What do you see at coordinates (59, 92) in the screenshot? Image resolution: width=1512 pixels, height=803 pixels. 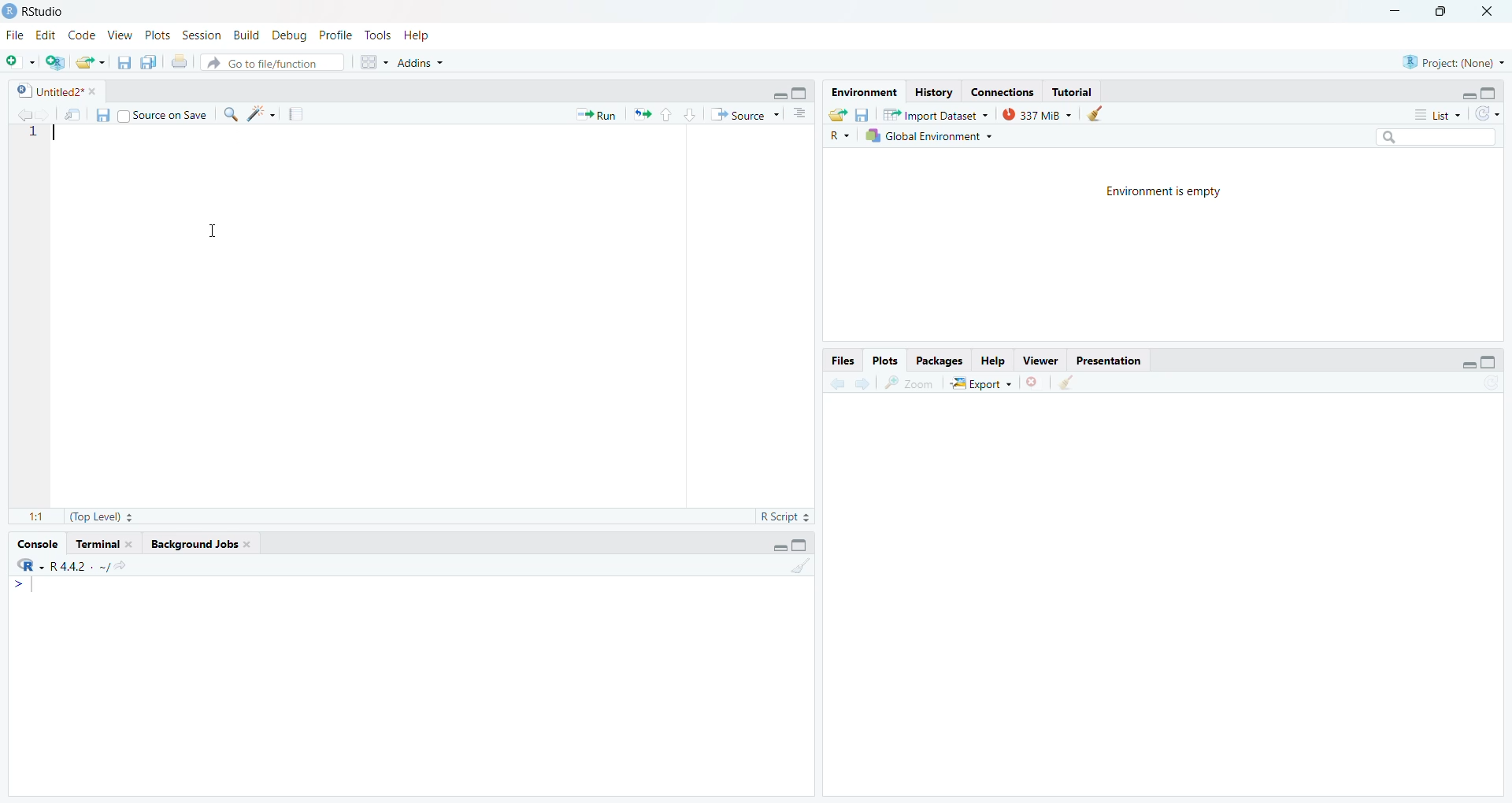 I see ` Untitled2*` at bounding box center [59, 92].